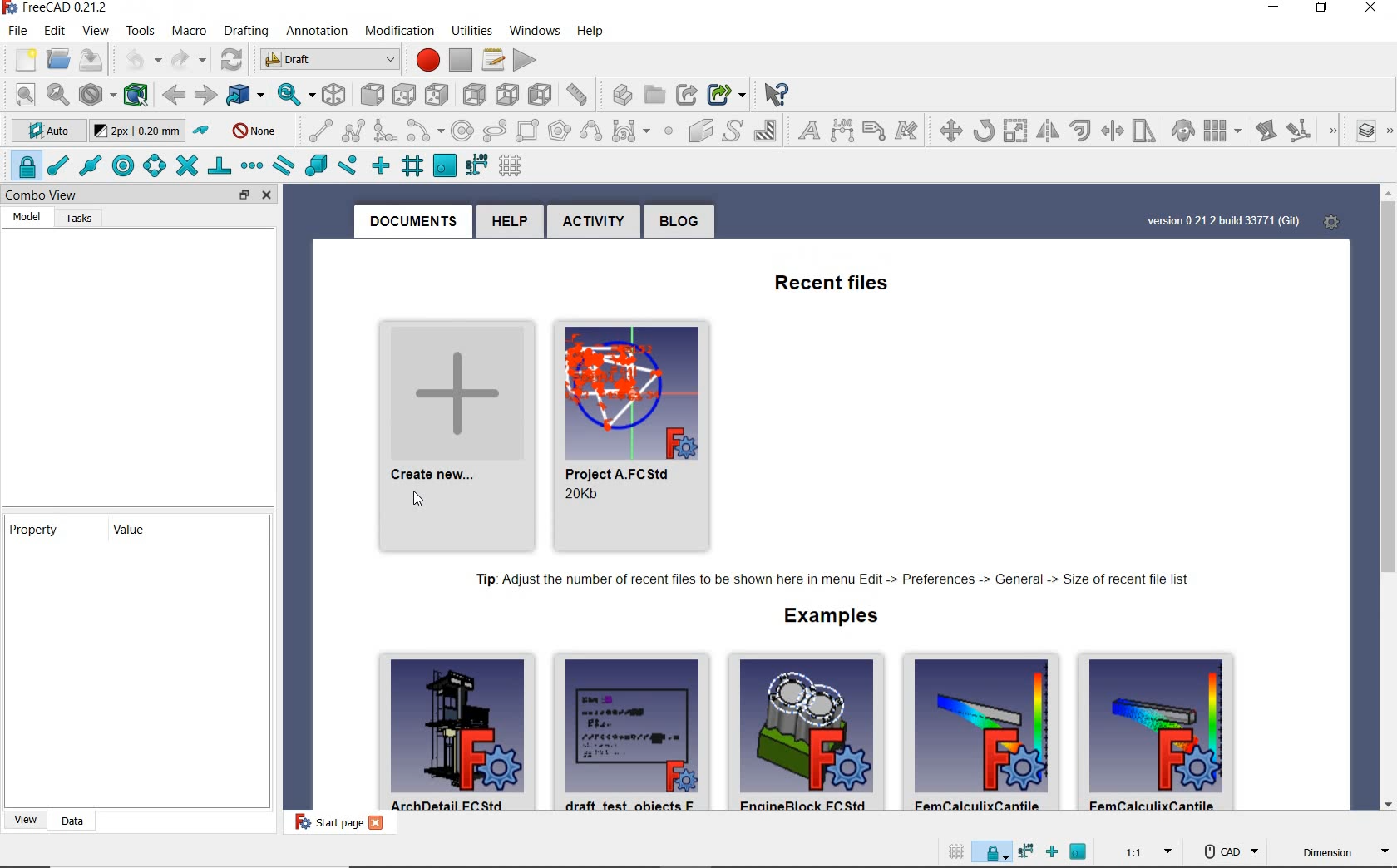  I want to click on , so click(948, 851).